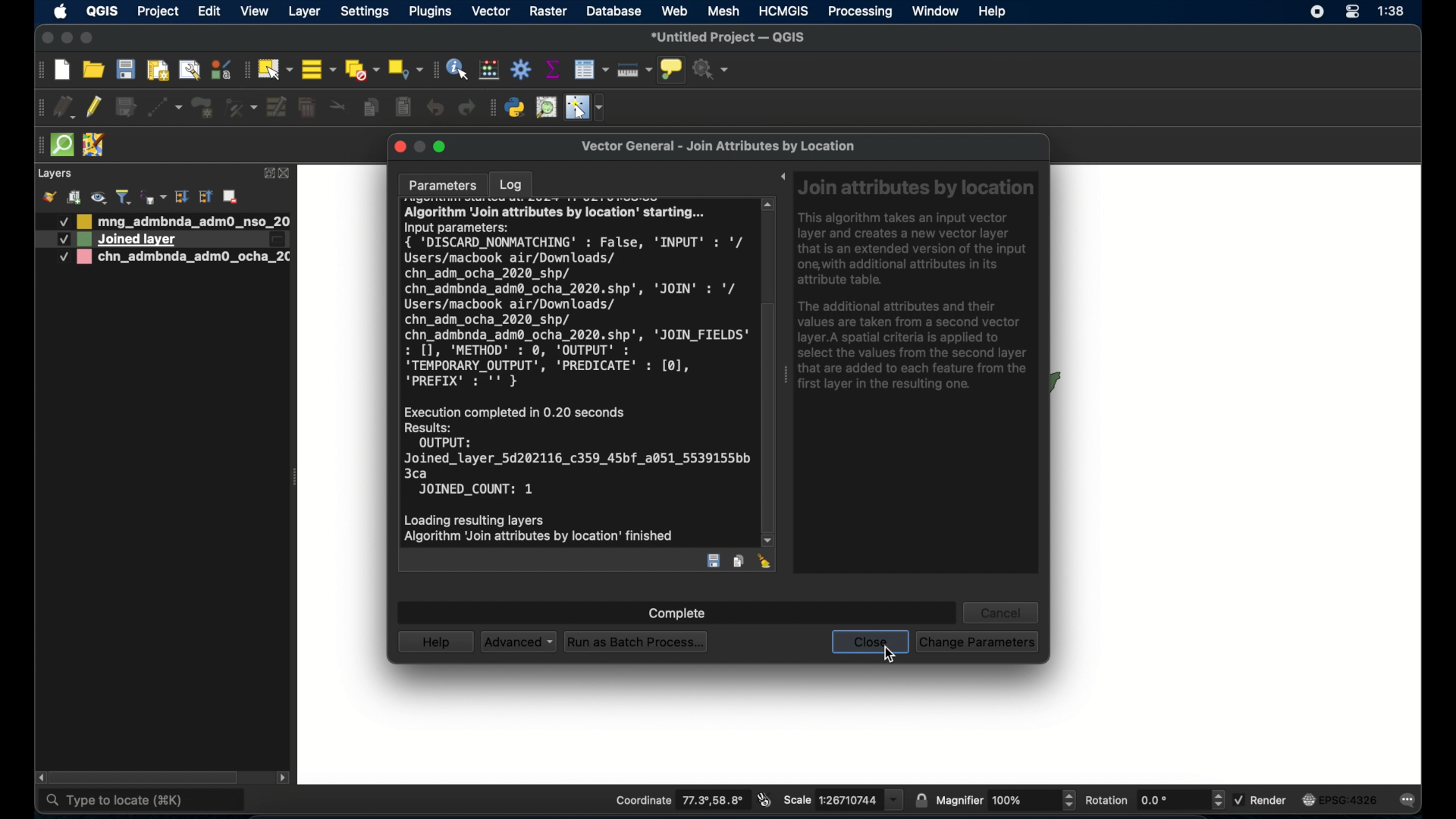 The height and width of the screenshot is (819, 1456). Describe the element at coordinates (65, 108) in the screenshot. I see `current edits` at that location.